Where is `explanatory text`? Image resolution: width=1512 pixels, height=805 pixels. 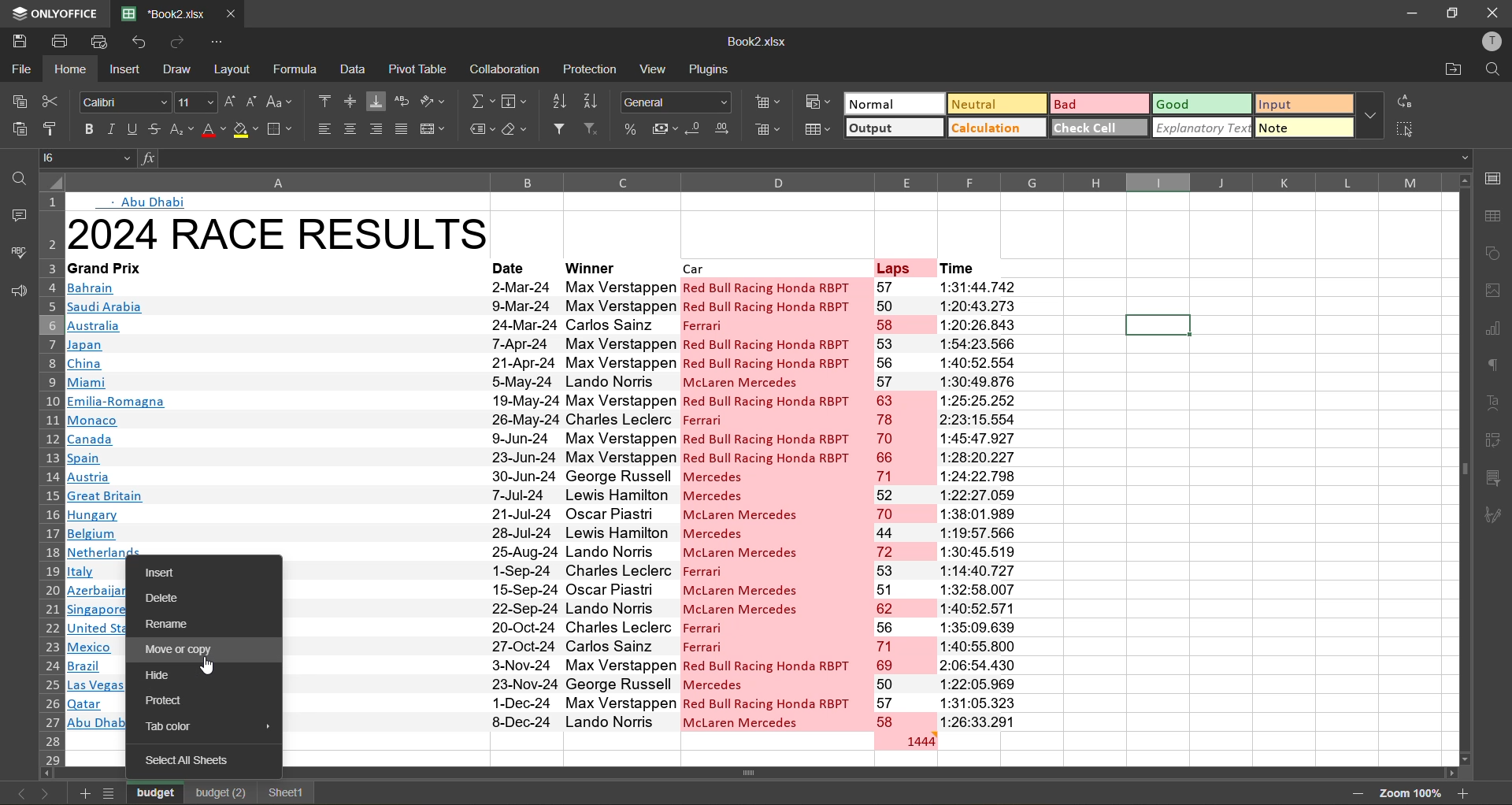 explanatory text is located at coordinates (1203, 127).